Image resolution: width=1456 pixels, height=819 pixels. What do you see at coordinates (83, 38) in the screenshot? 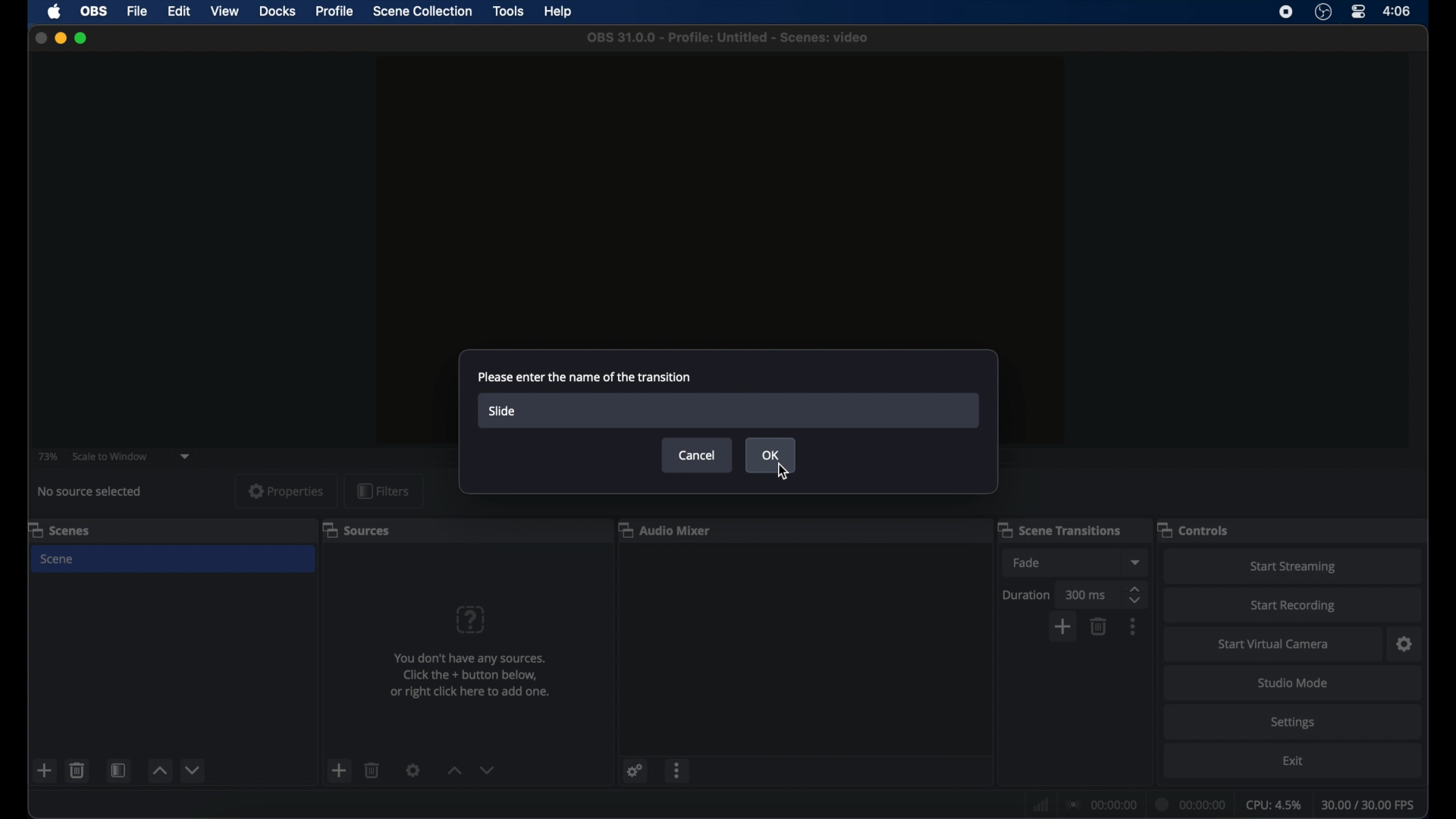
I see `maximize` at bounding box center [83, 38].